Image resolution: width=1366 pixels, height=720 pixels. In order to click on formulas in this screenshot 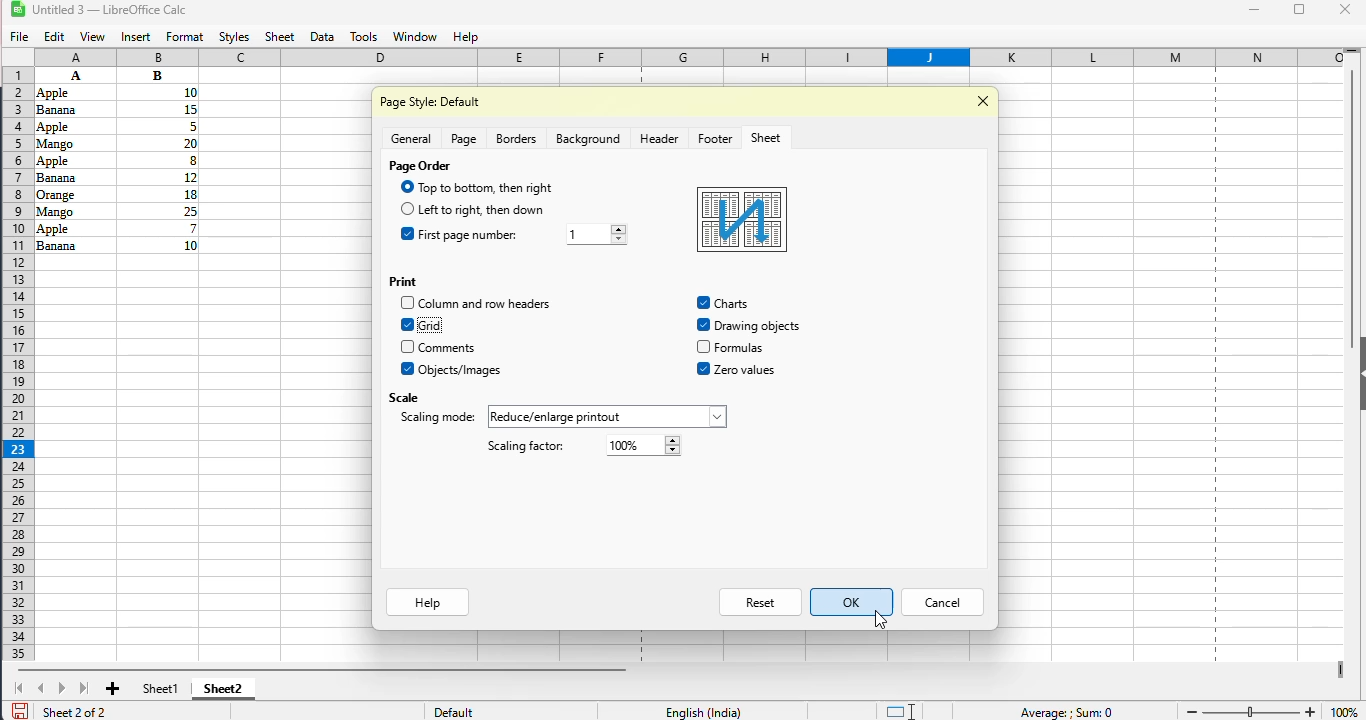, I will do `click(703, 347)`.